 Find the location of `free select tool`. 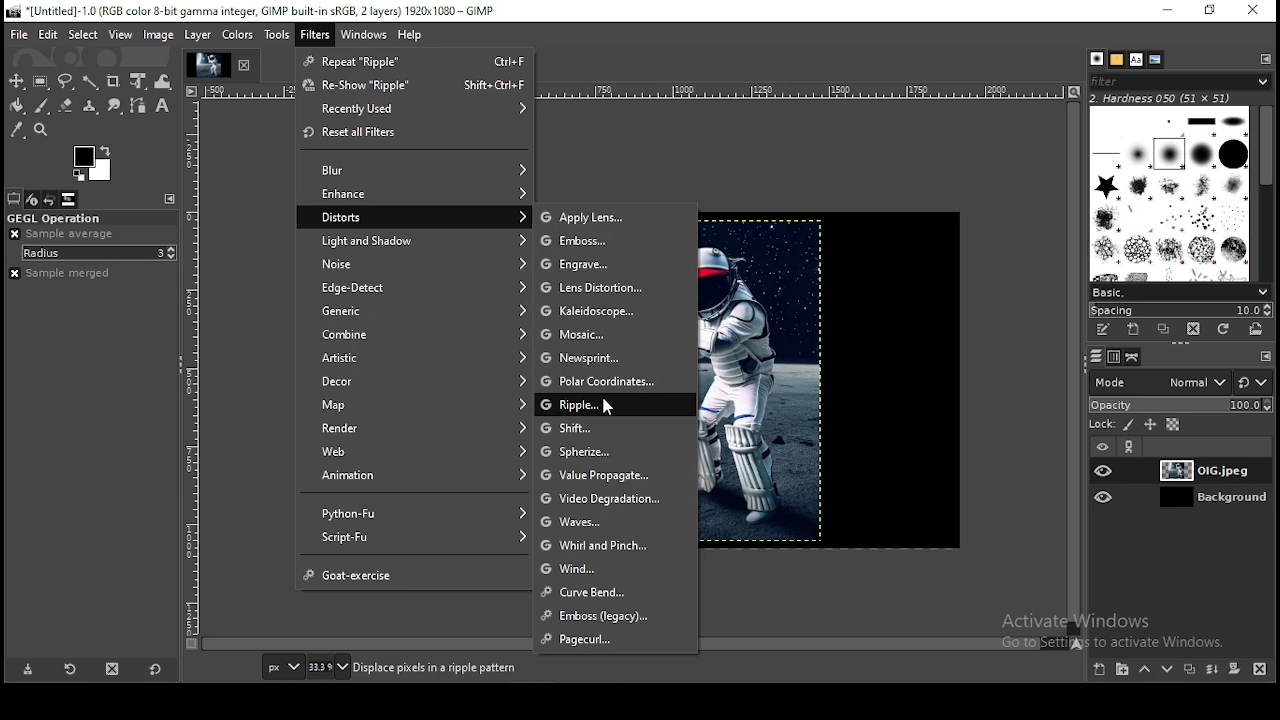

free select tool is located at coordinates (67, 82).